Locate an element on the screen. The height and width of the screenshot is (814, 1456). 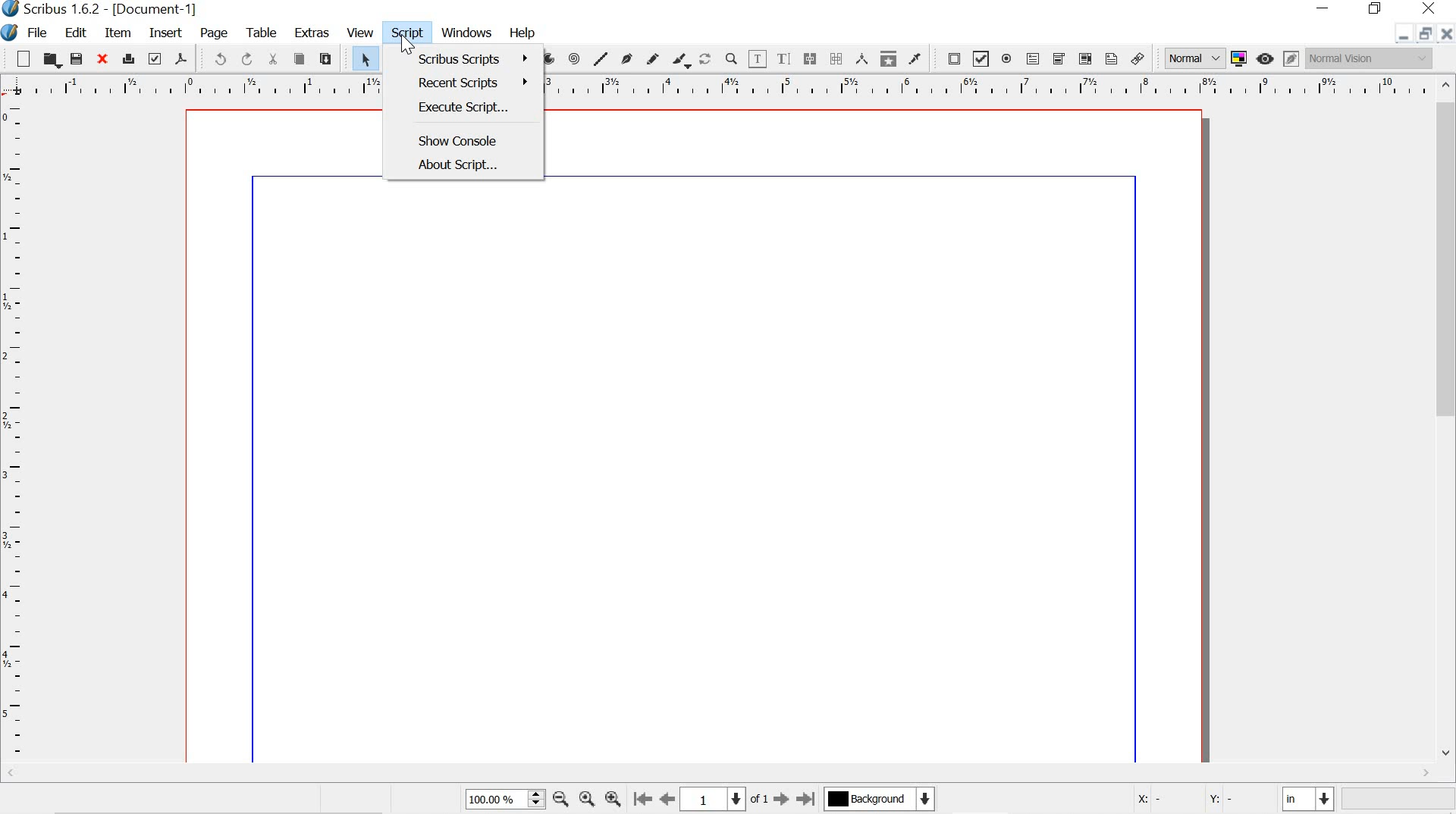
Center is located at coordinates (585, 799).